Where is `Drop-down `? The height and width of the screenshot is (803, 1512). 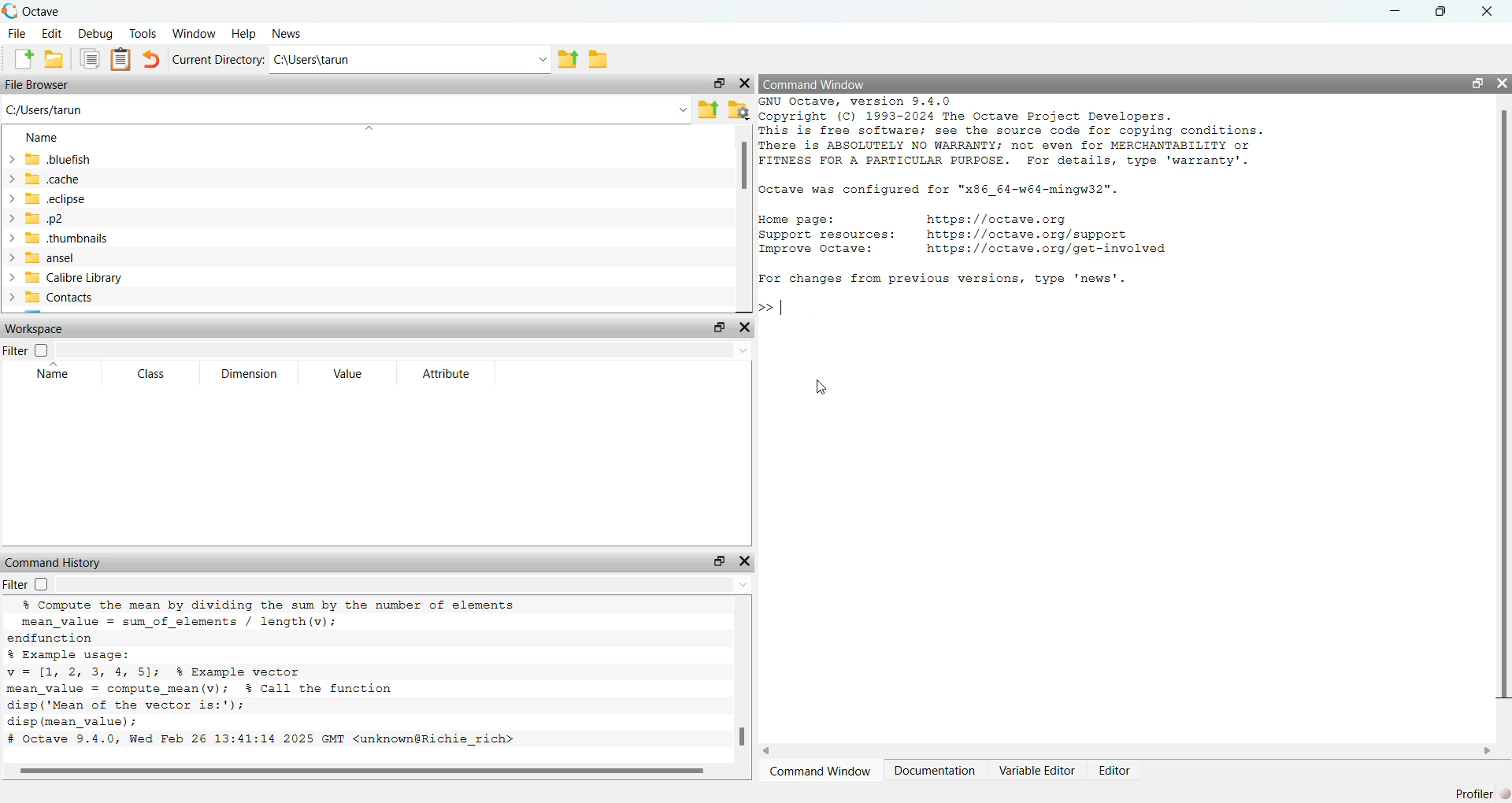
Drop-down  is located at coordinates (744, 584).